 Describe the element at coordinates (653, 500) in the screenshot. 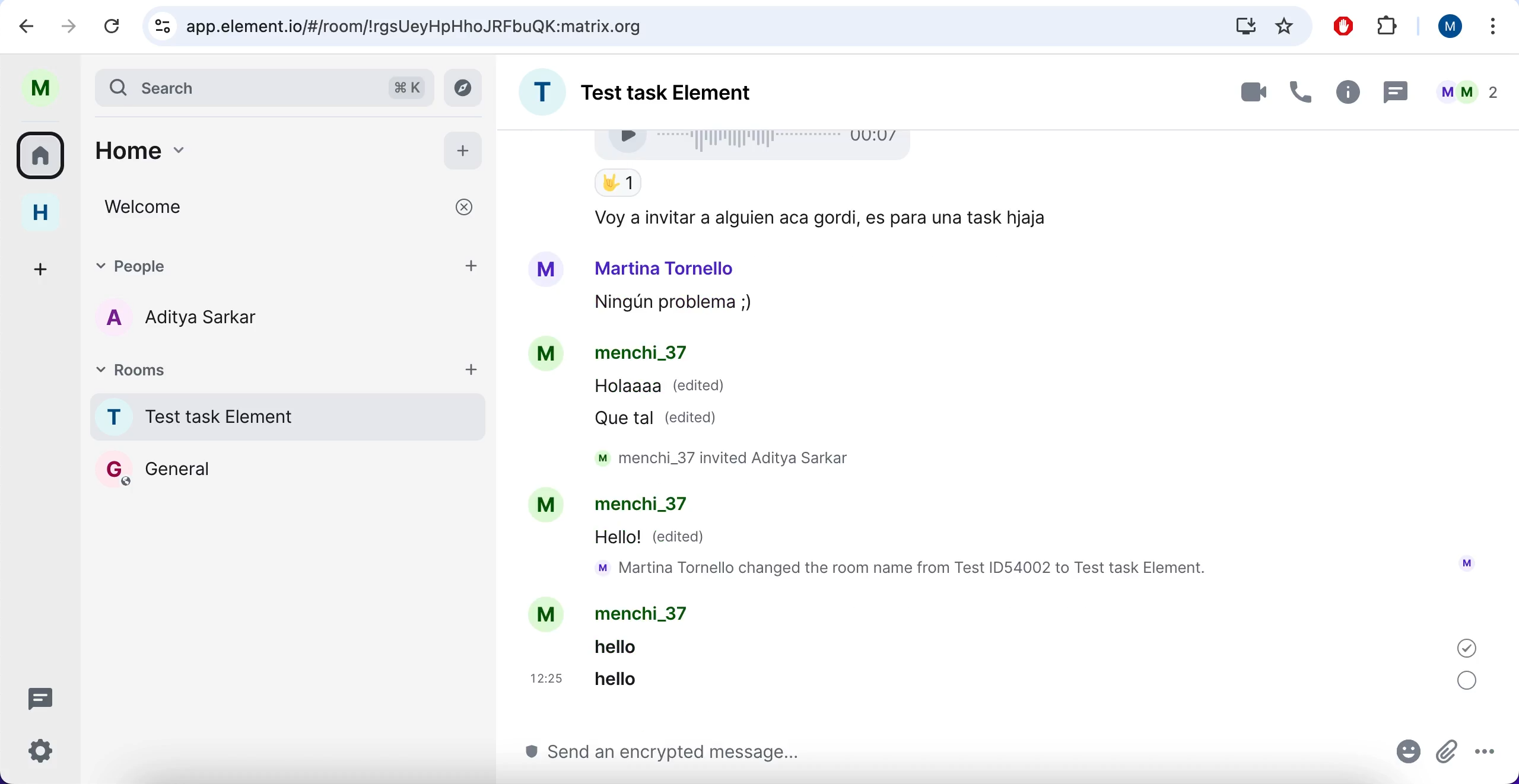

I see `menchi_37` at that location.